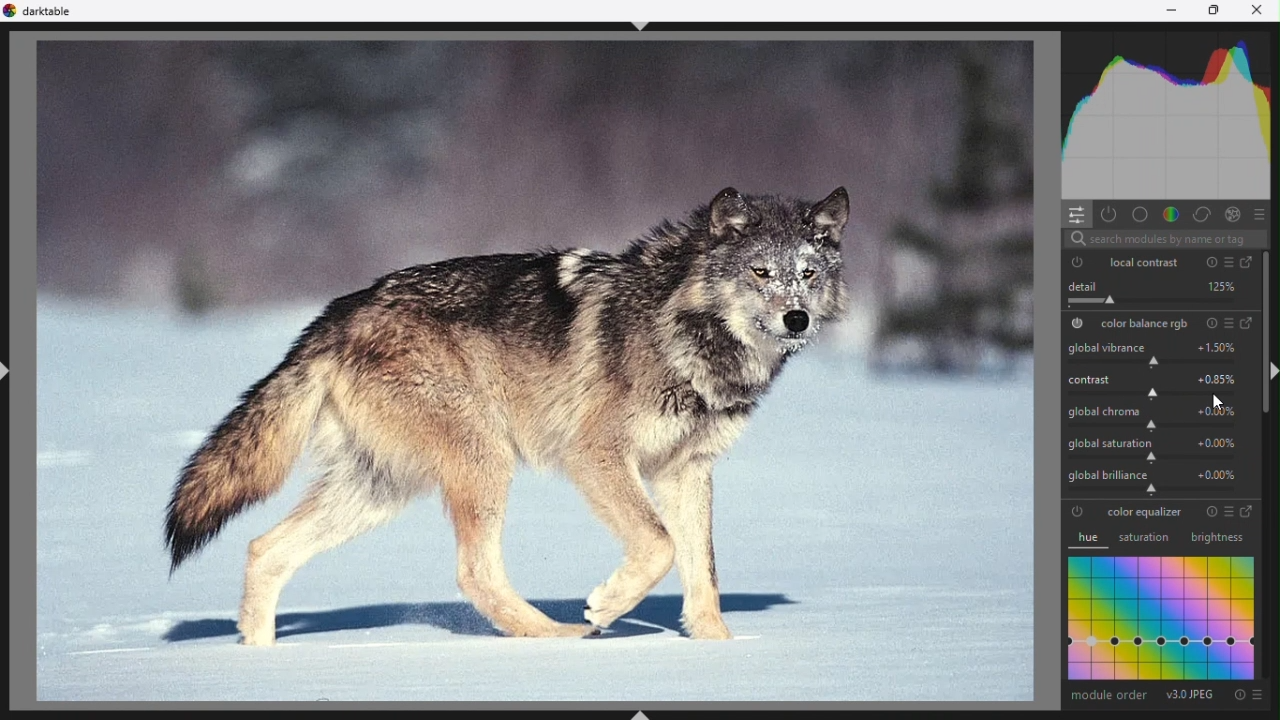 The height and width of the screenshot is (720, 1280). What do you see at coordinates (1209, 323) in the screenshot?
I see `reset` at bounding box center [1209, 323].